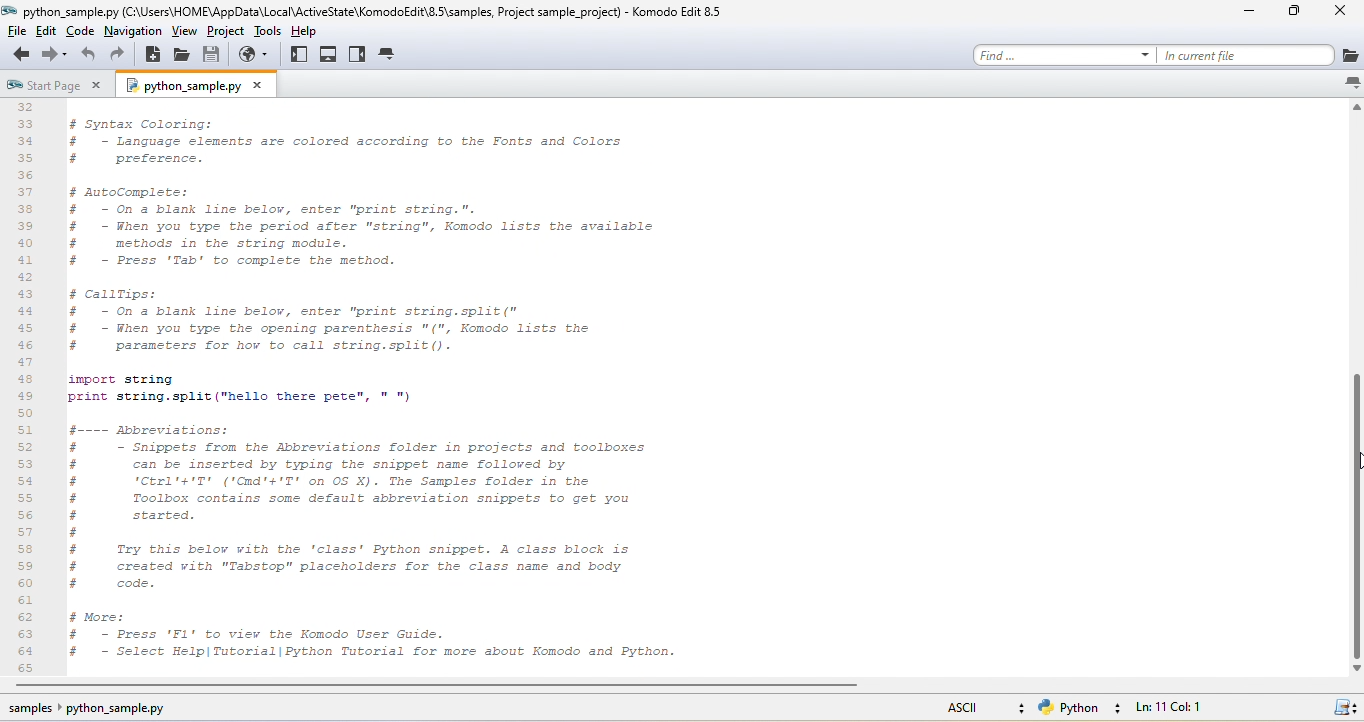 Image resolution: width=1364 pixels, height=722 pixels. What do you see at coordinates (267, 33) in the screenshot?
I see `tools` at bounding box center [267, 33].